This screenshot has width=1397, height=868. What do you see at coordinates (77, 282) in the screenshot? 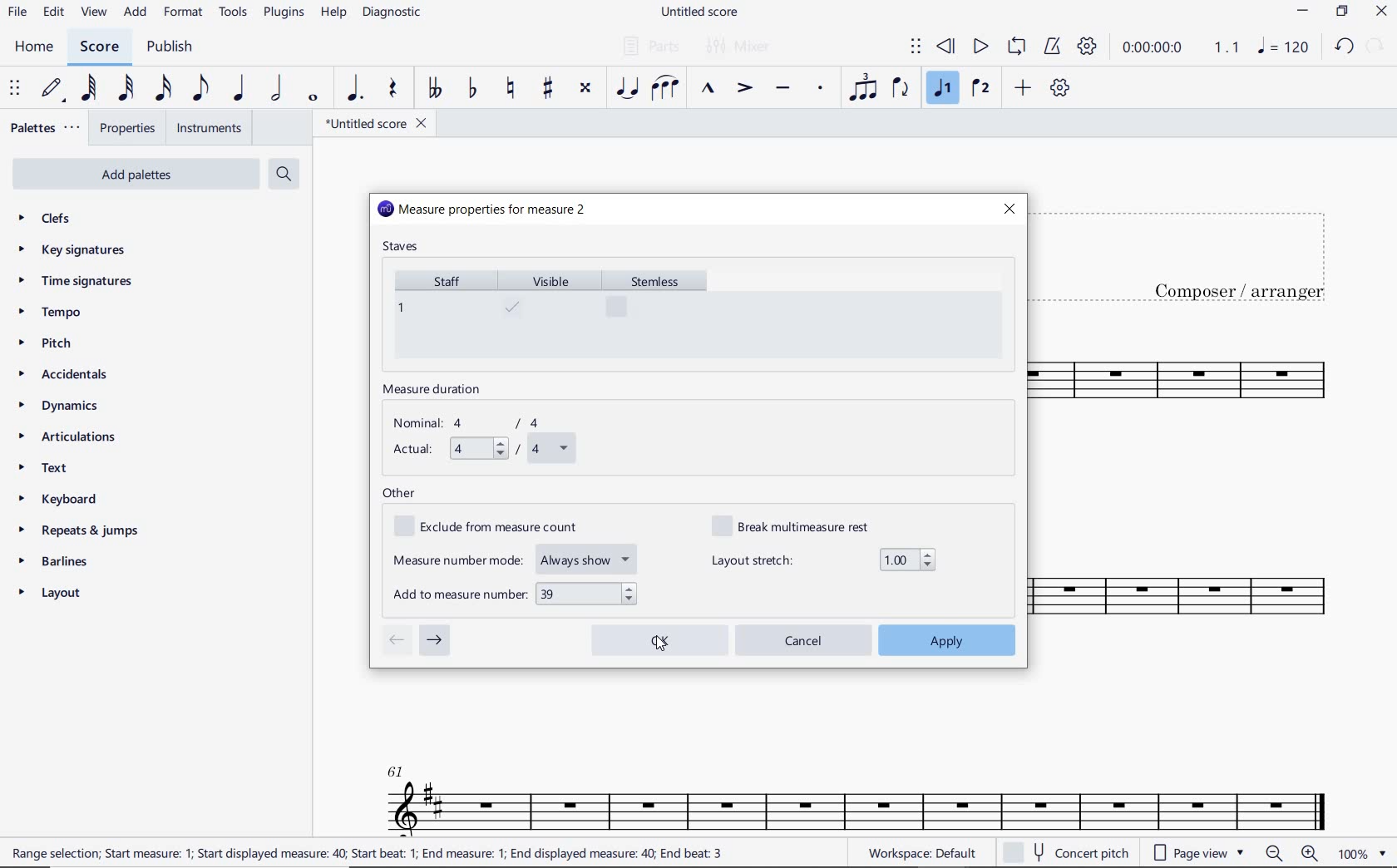
I see `TIME SIGNATURES` at bounding box center [77, 282].